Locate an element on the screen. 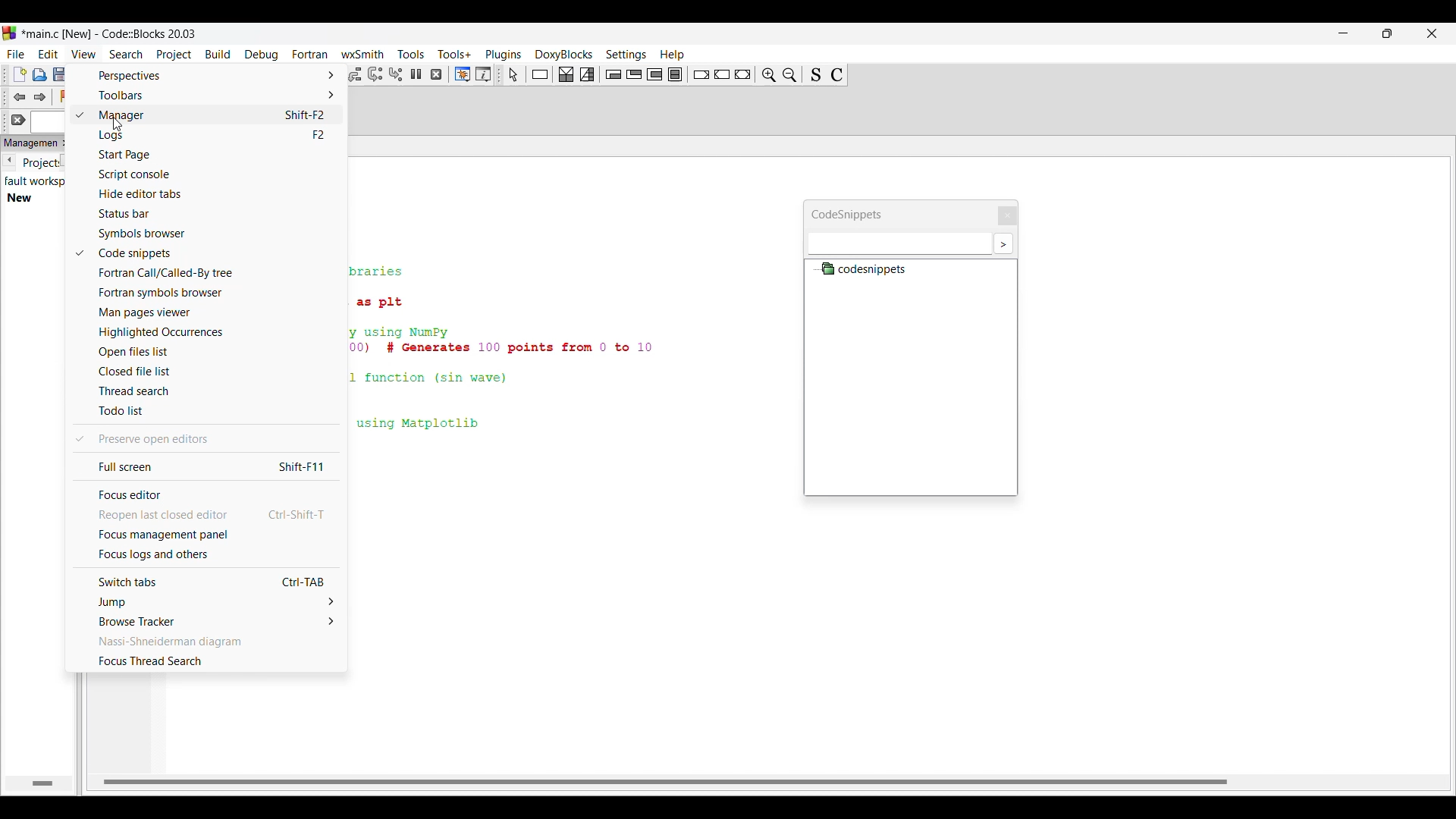 The image size is (1456, 819). Focus management panel is located at coordinates (208, 535).